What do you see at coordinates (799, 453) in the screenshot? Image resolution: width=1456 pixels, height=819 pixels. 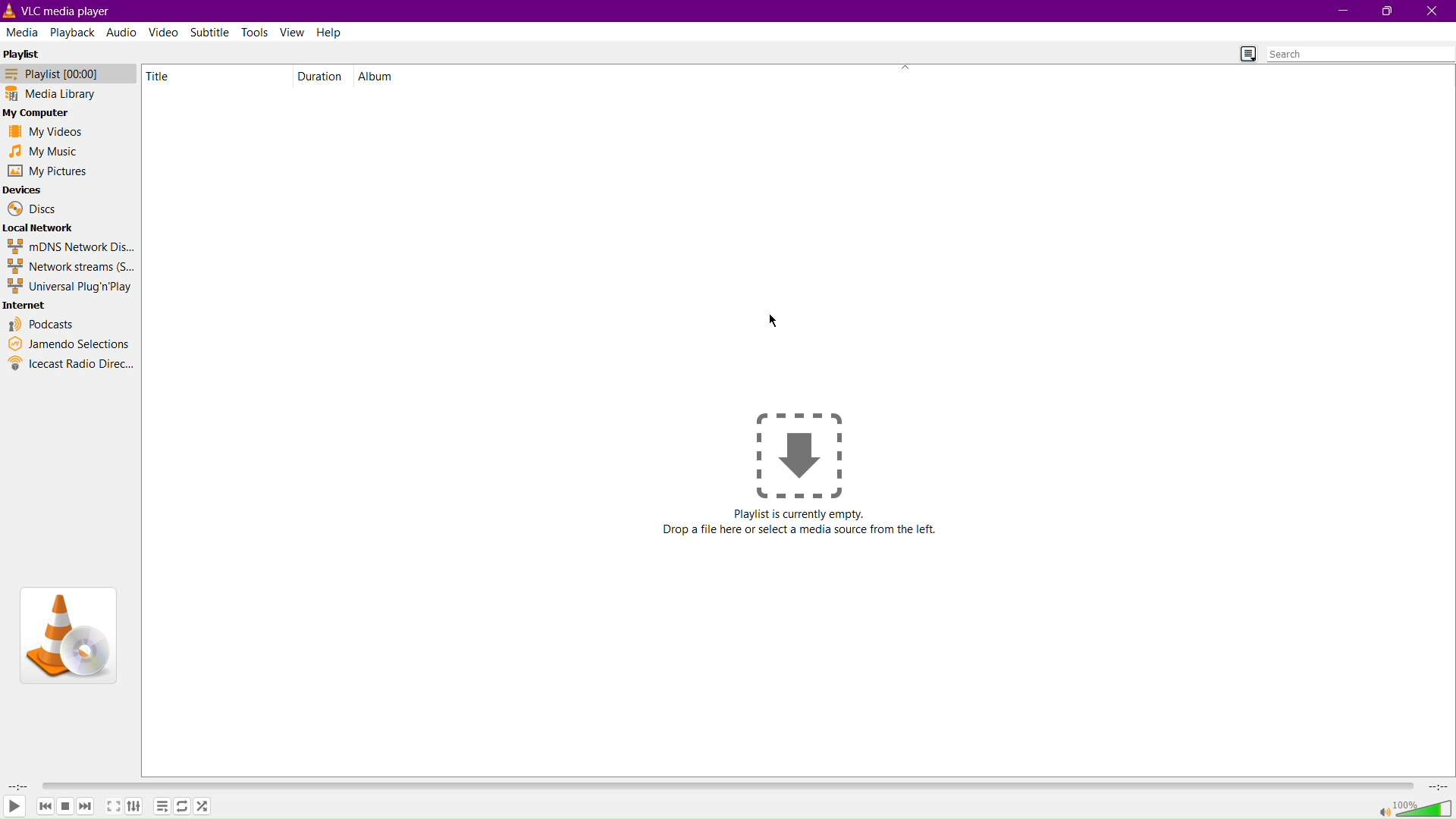 I see `Drag a file here` at bounding box center [799, 453].